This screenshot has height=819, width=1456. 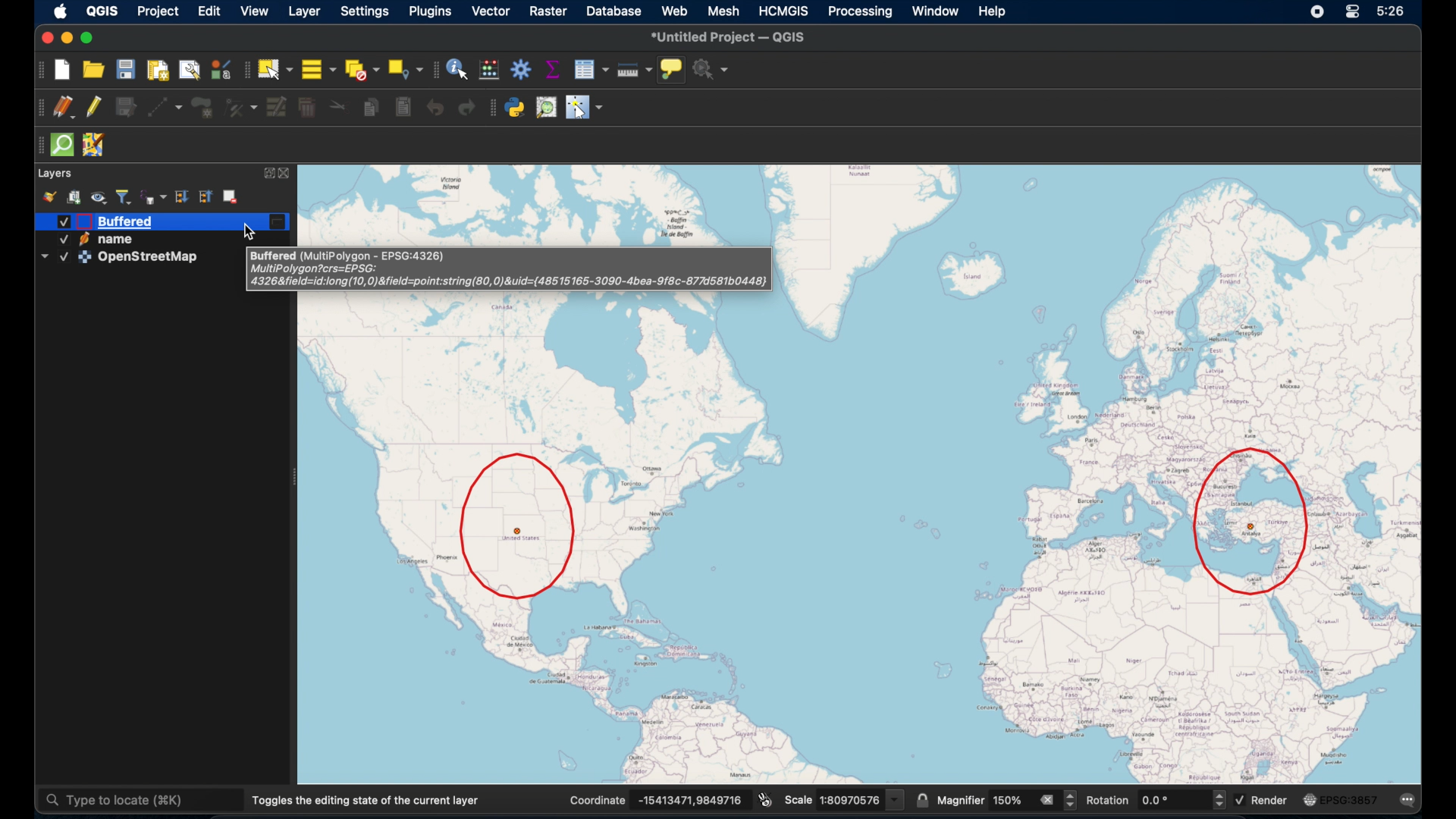 I want to click on select all features, so click(x=320, y=69).